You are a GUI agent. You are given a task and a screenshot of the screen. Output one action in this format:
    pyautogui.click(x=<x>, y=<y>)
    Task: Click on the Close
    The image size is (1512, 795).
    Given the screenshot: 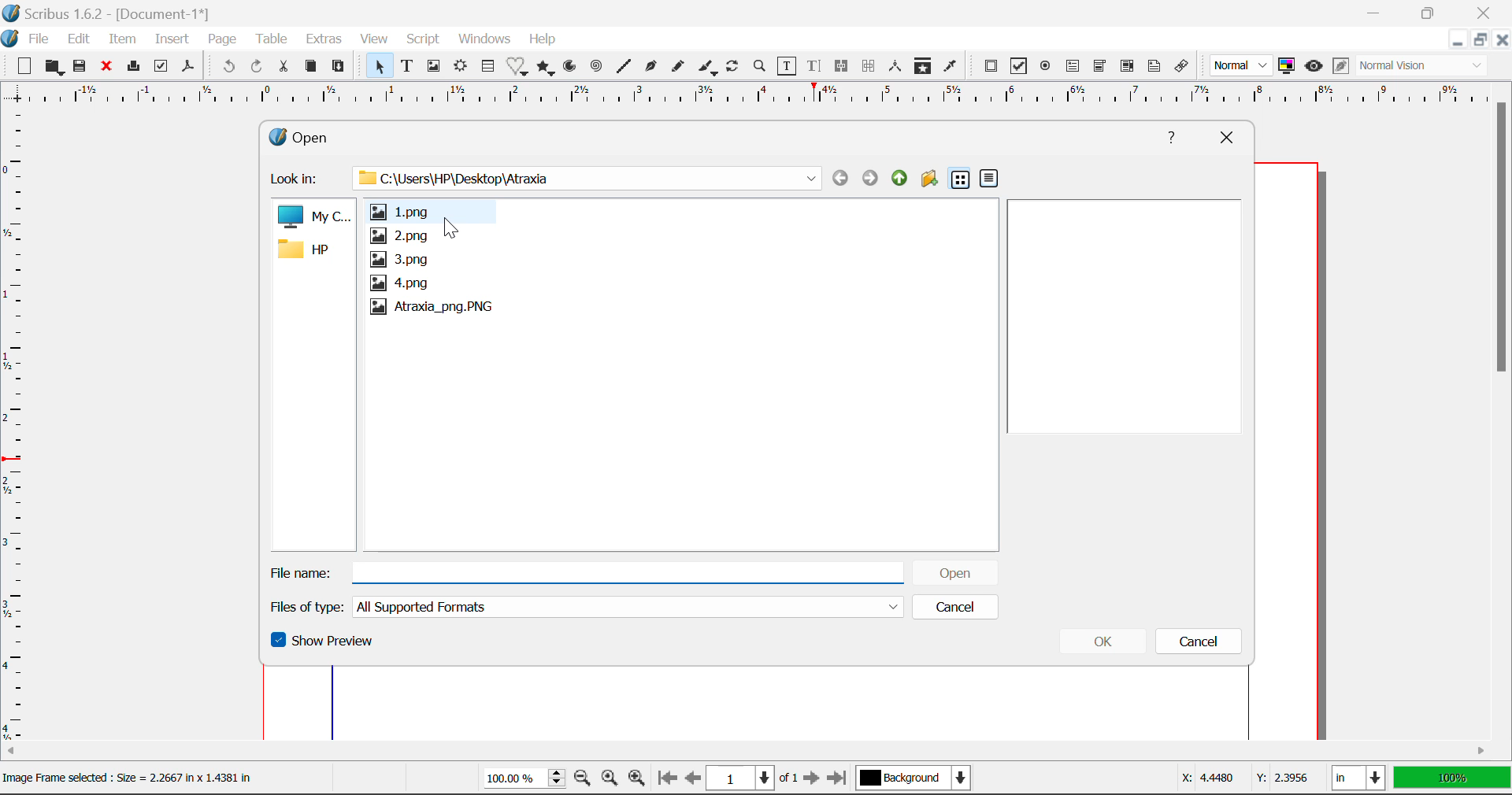 What is the action you would take?
    pyautogui.click(x=1503, y=42)
    